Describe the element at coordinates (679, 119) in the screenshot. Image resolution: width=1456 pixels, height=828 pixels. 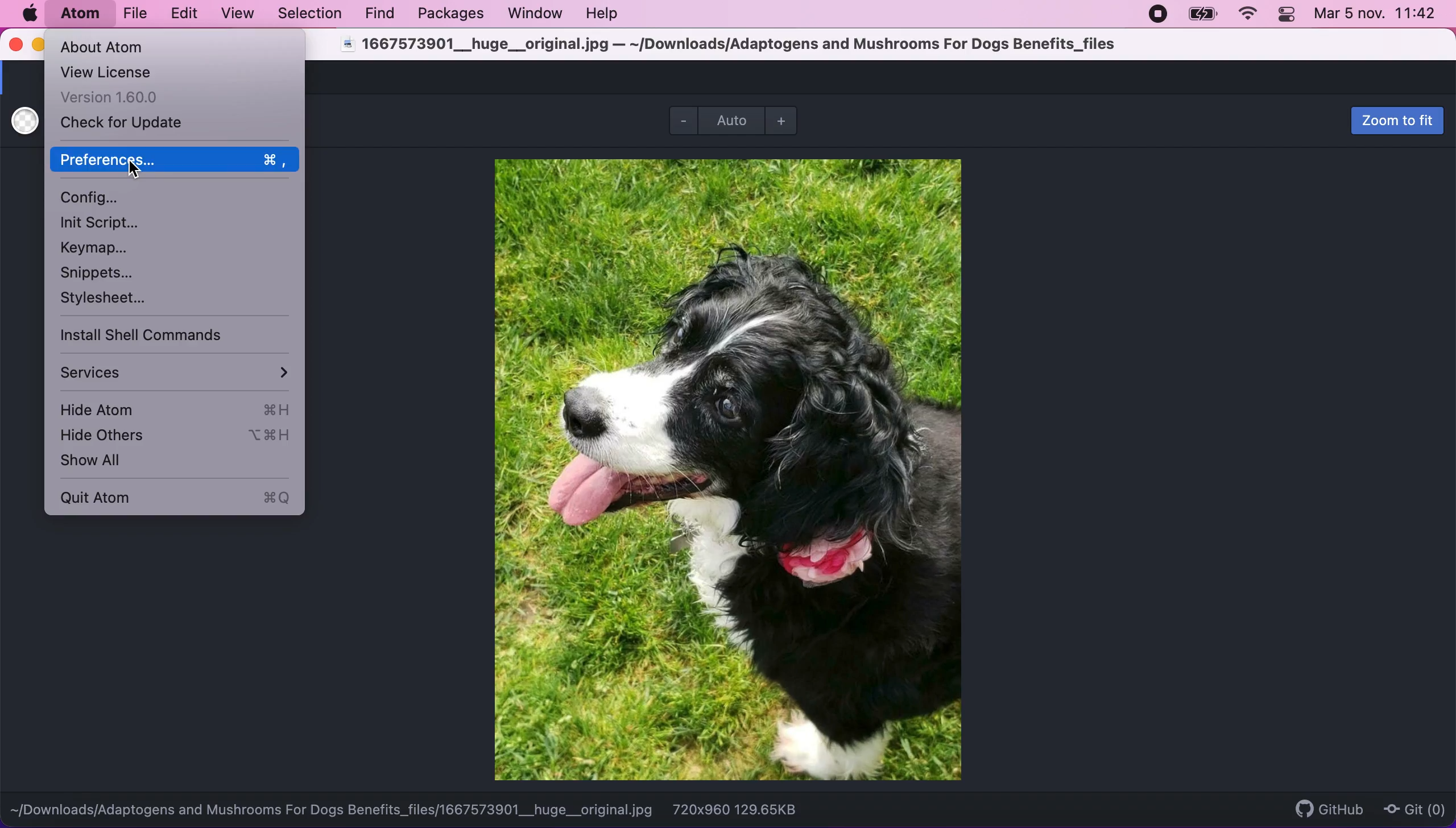
I see `zoom out` at that location.